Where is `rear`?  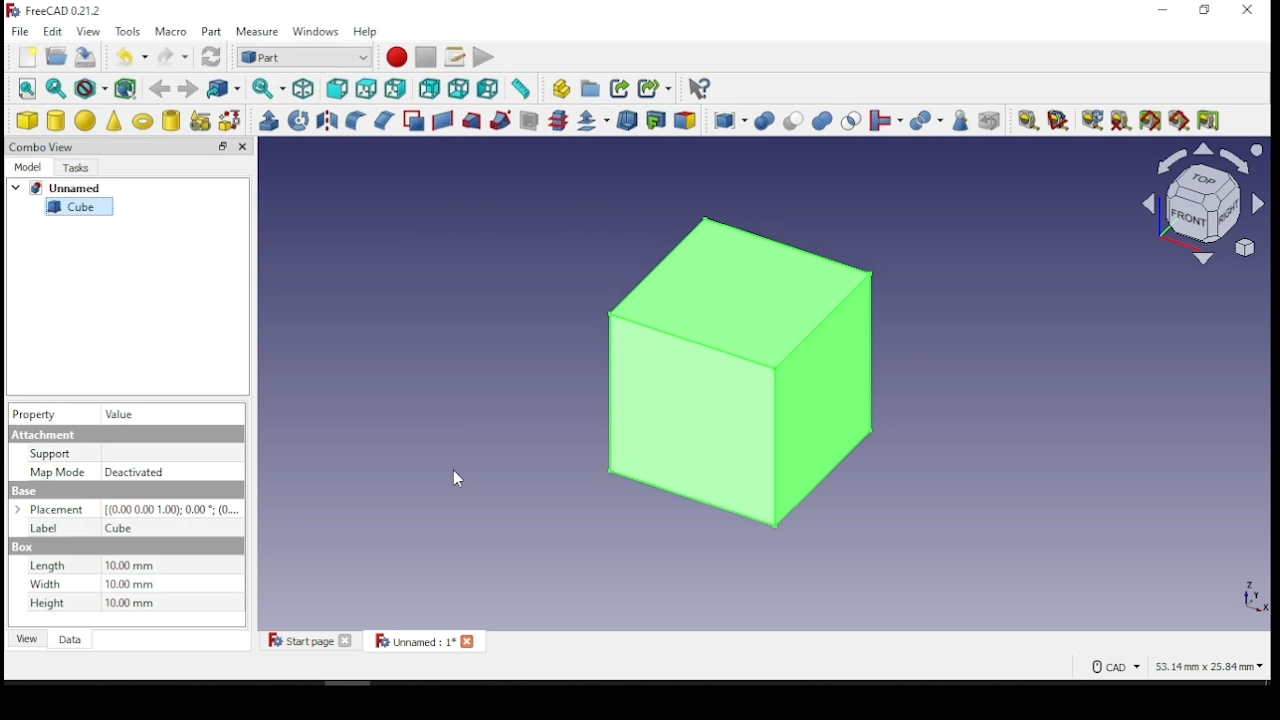
rear is located at coordinates (429, 89).